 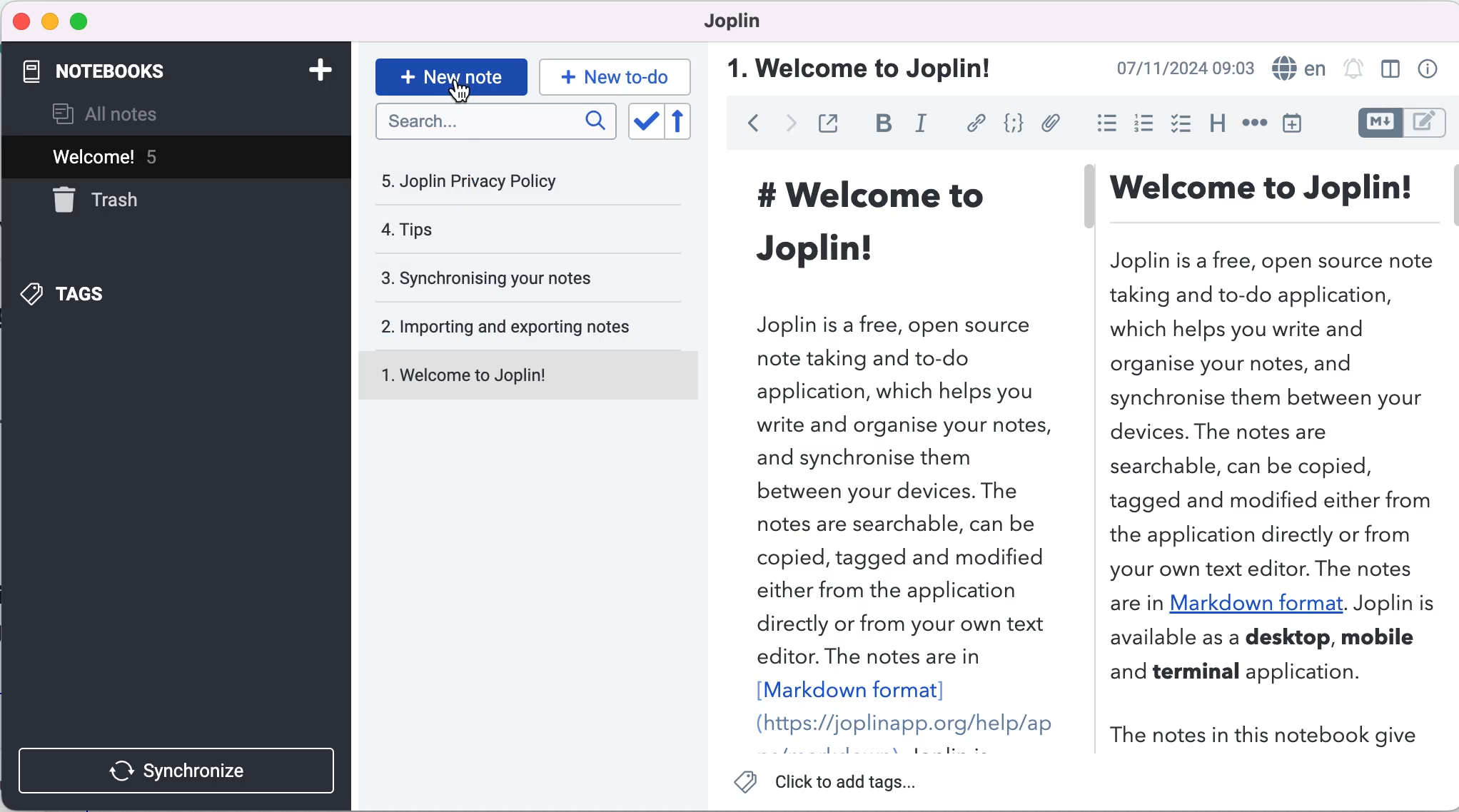 What do you see at coordinates (1254, 125) in the screenshot?
I see `horizontal rule` at bounding box center [1254, 125].